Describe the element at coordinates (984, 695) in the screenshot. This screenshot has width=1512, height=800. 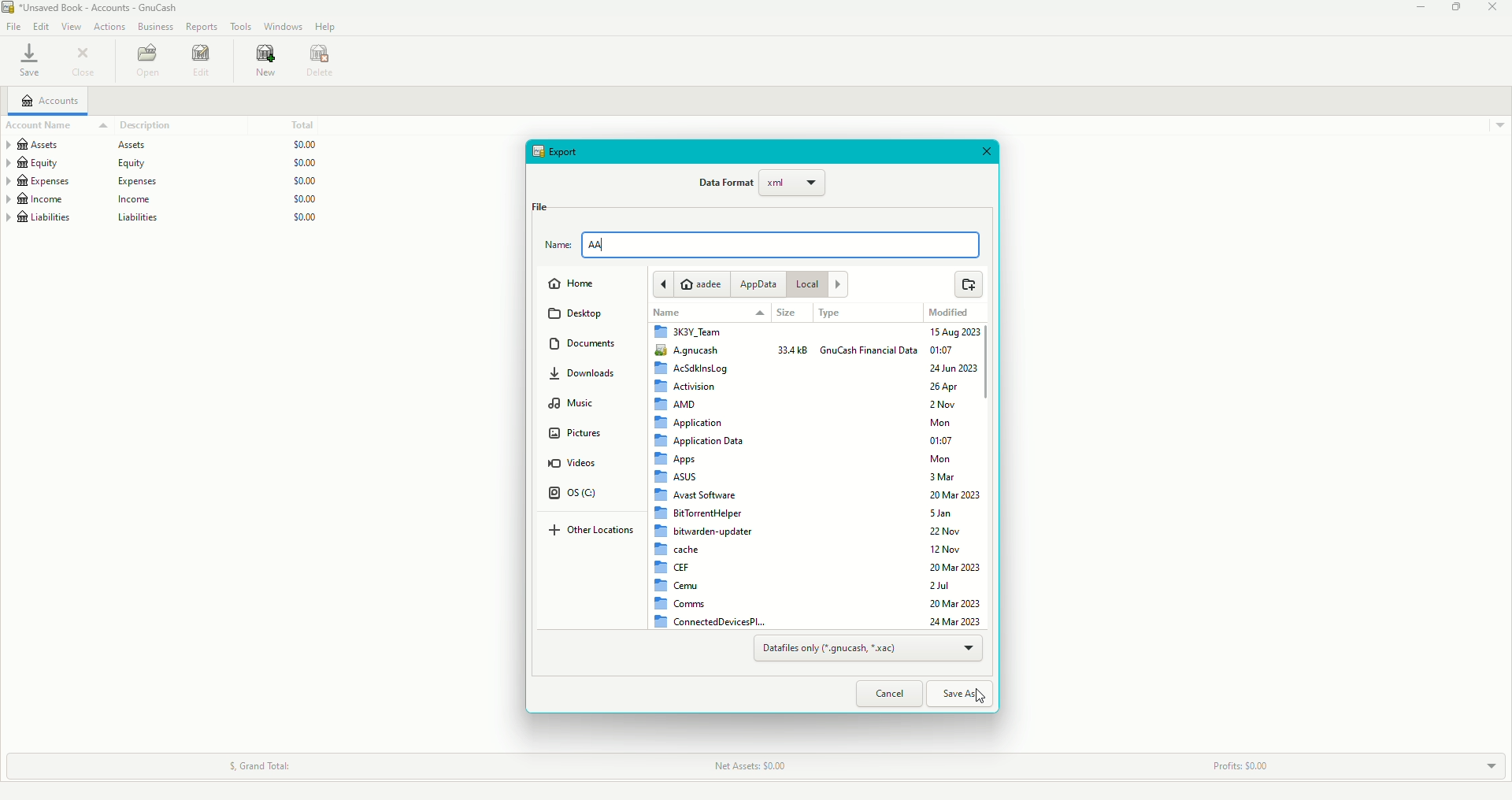
I see `Cursor` at that location.